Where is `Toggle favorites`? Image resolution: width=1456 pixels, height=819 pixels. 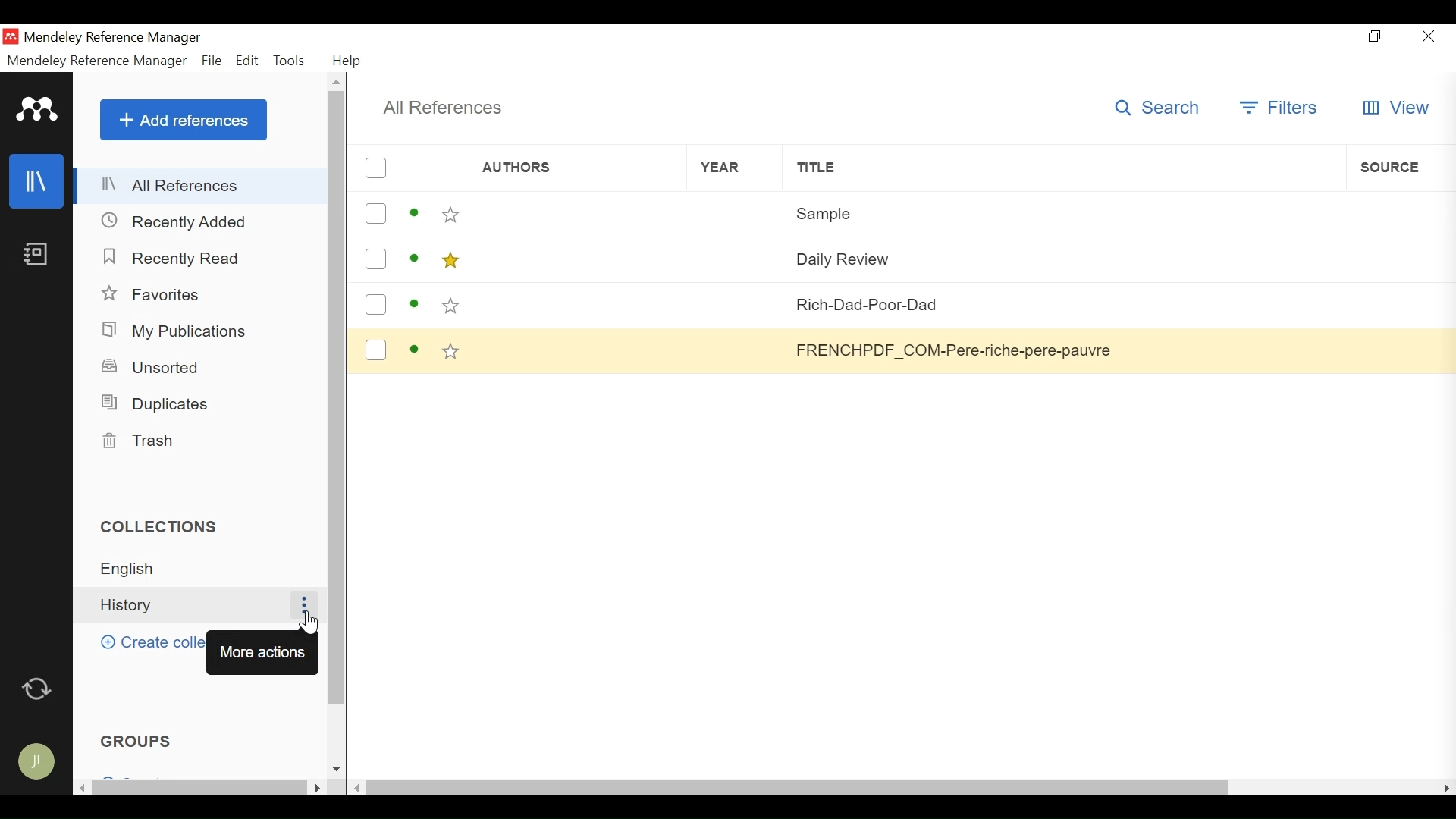
Toggle favorites is located at coordinates (451, 306).